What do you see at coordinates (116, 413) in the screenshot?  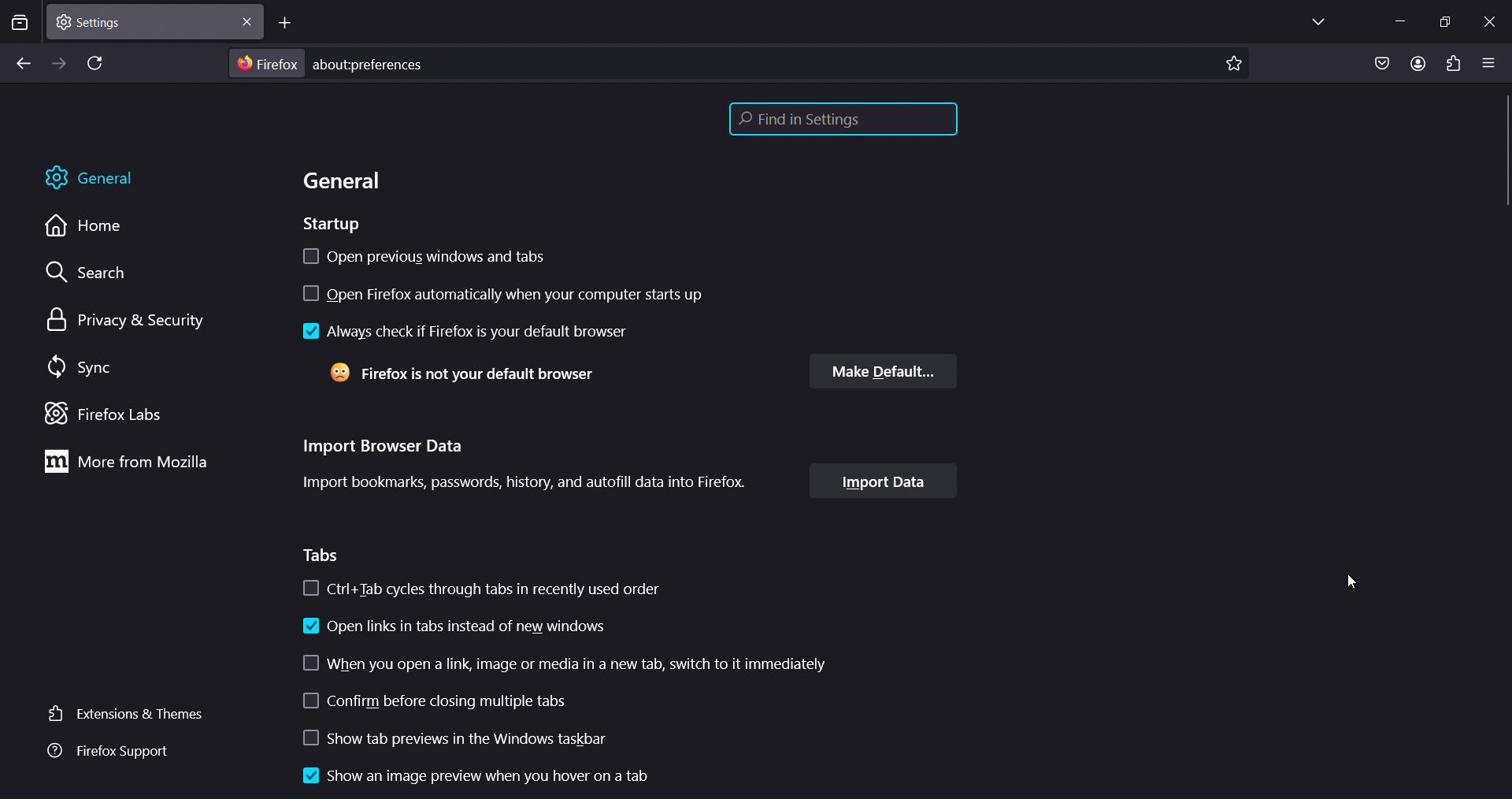 I see `firefox labs` at bounding box center [116, 413].